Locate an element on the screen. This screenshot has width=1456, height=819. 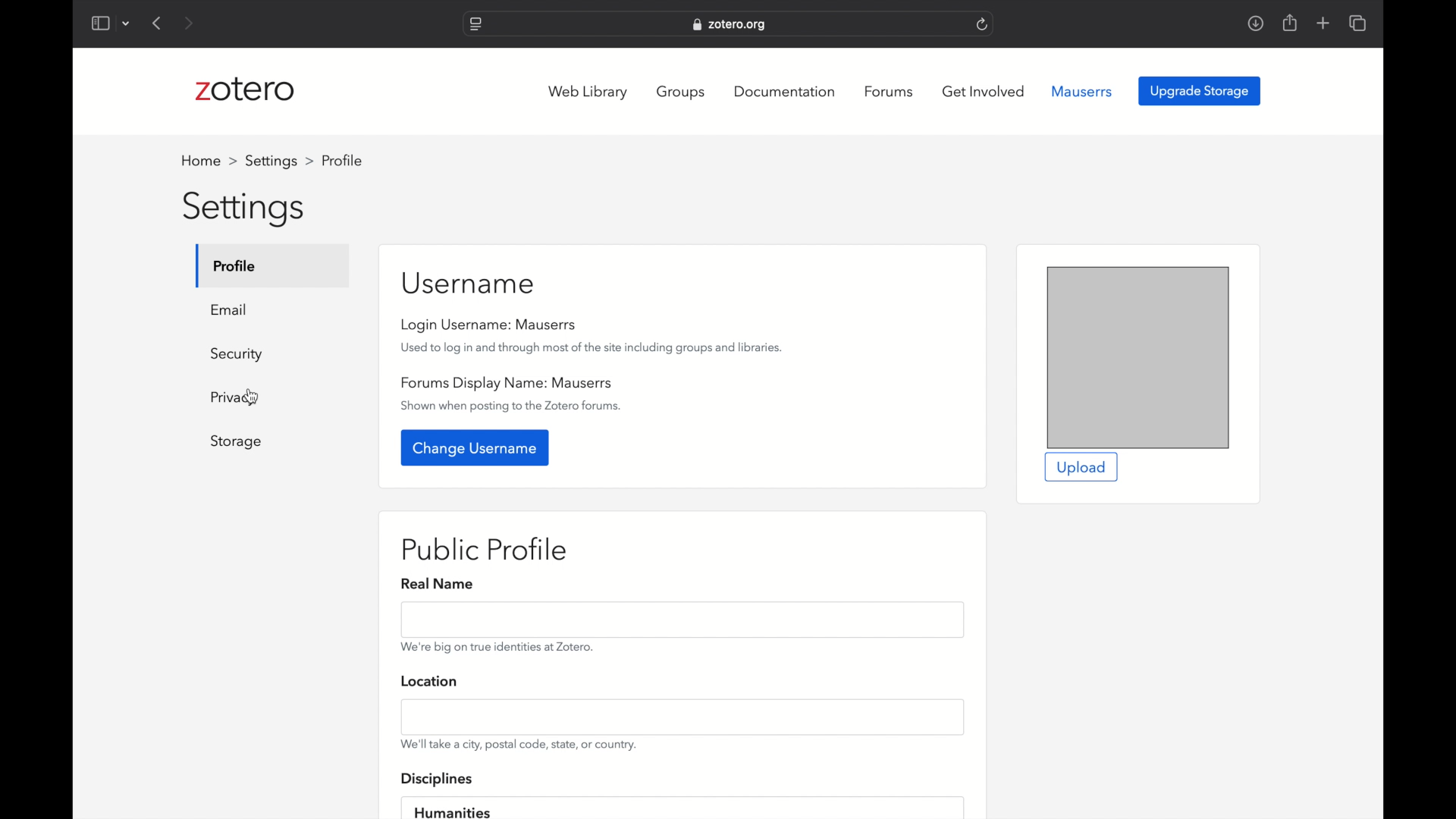
mauserrs is located at coordinates (1082, 92).